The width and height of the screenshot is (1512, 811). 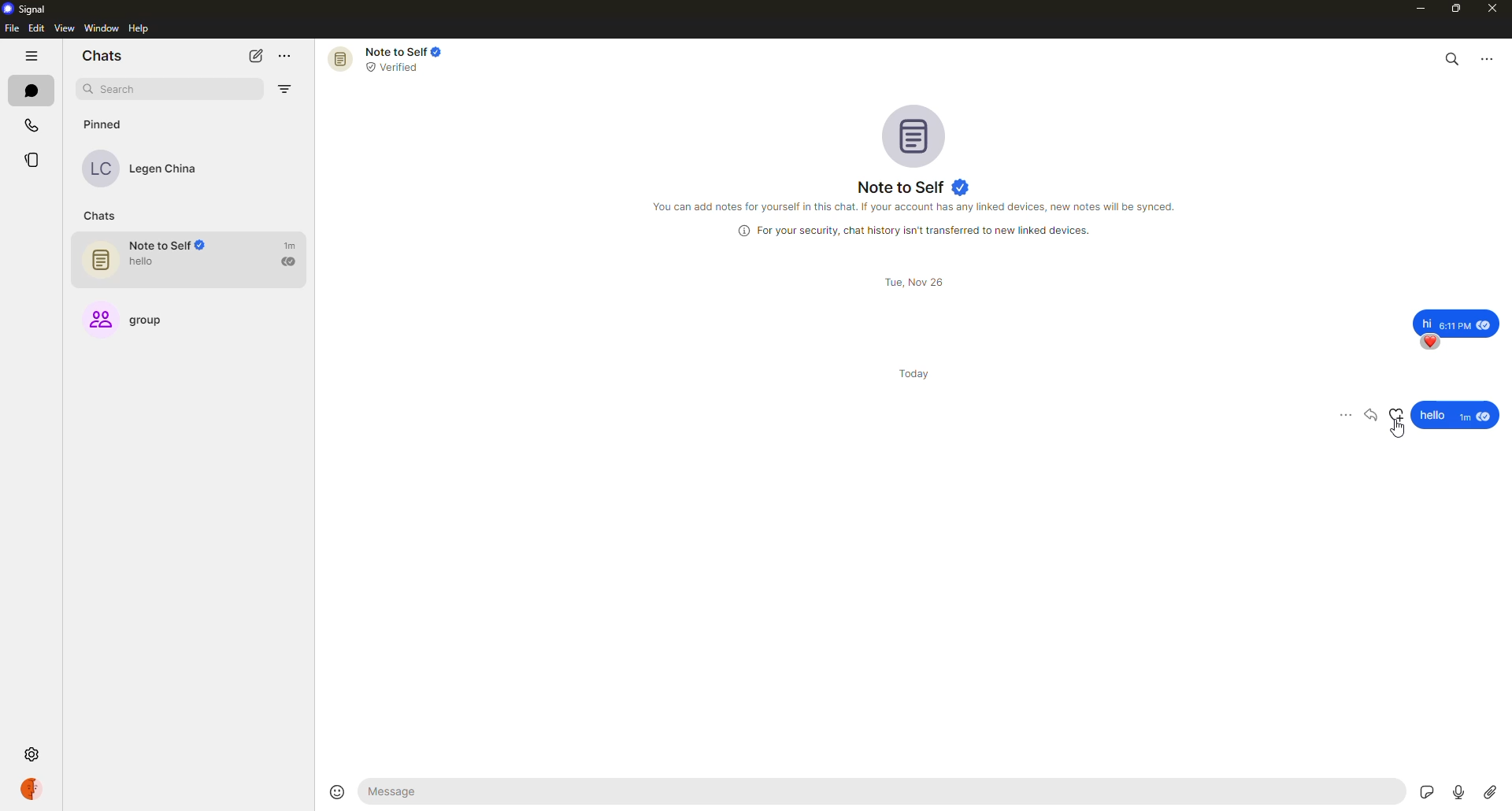 What do you see at coordinates (917, 187) in the screenshot?
I see `note to self` at bounding box center [917, 187].